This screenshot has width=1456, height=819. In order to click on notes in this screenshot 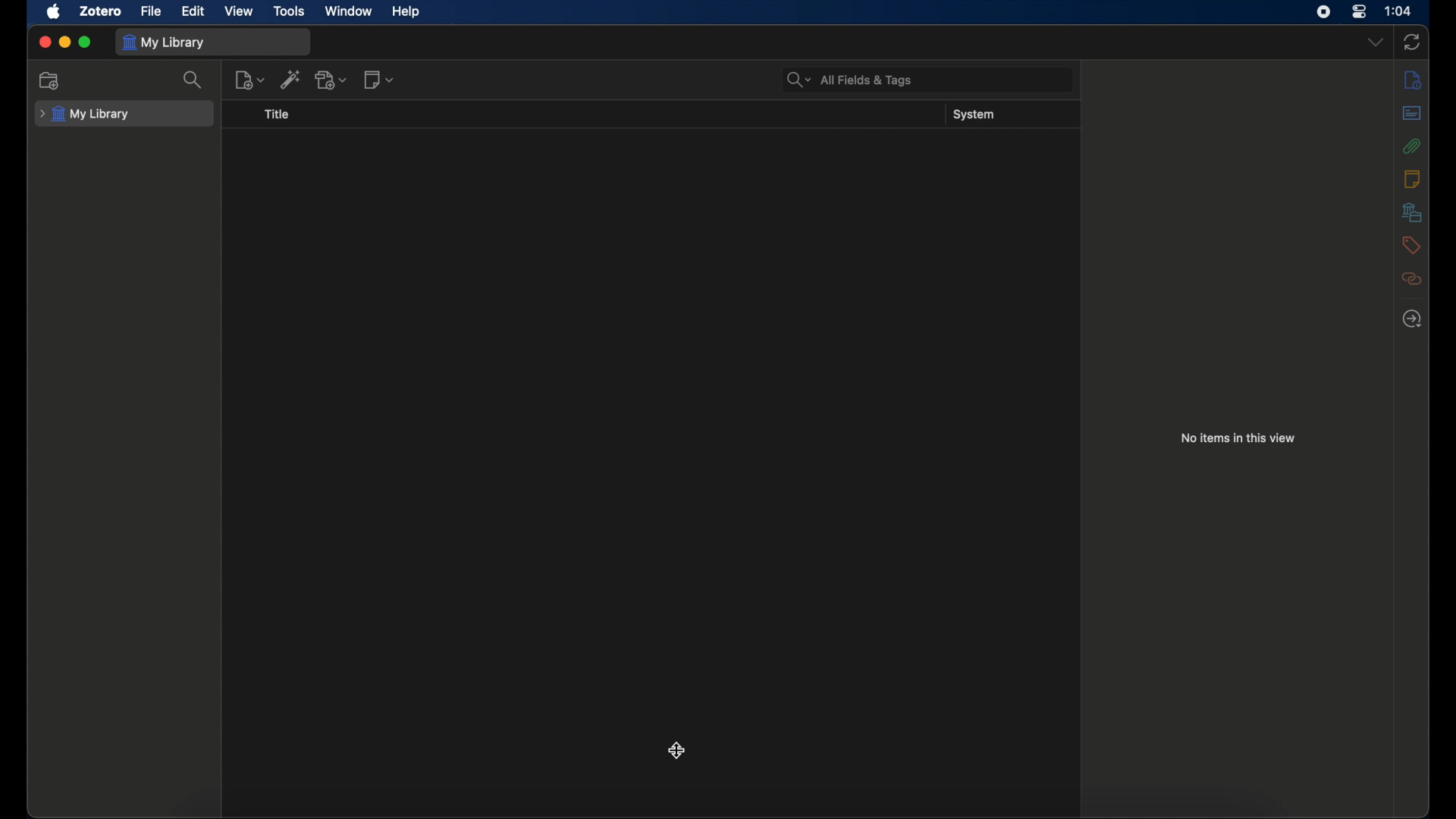, I will do `click(1412, 179)`.